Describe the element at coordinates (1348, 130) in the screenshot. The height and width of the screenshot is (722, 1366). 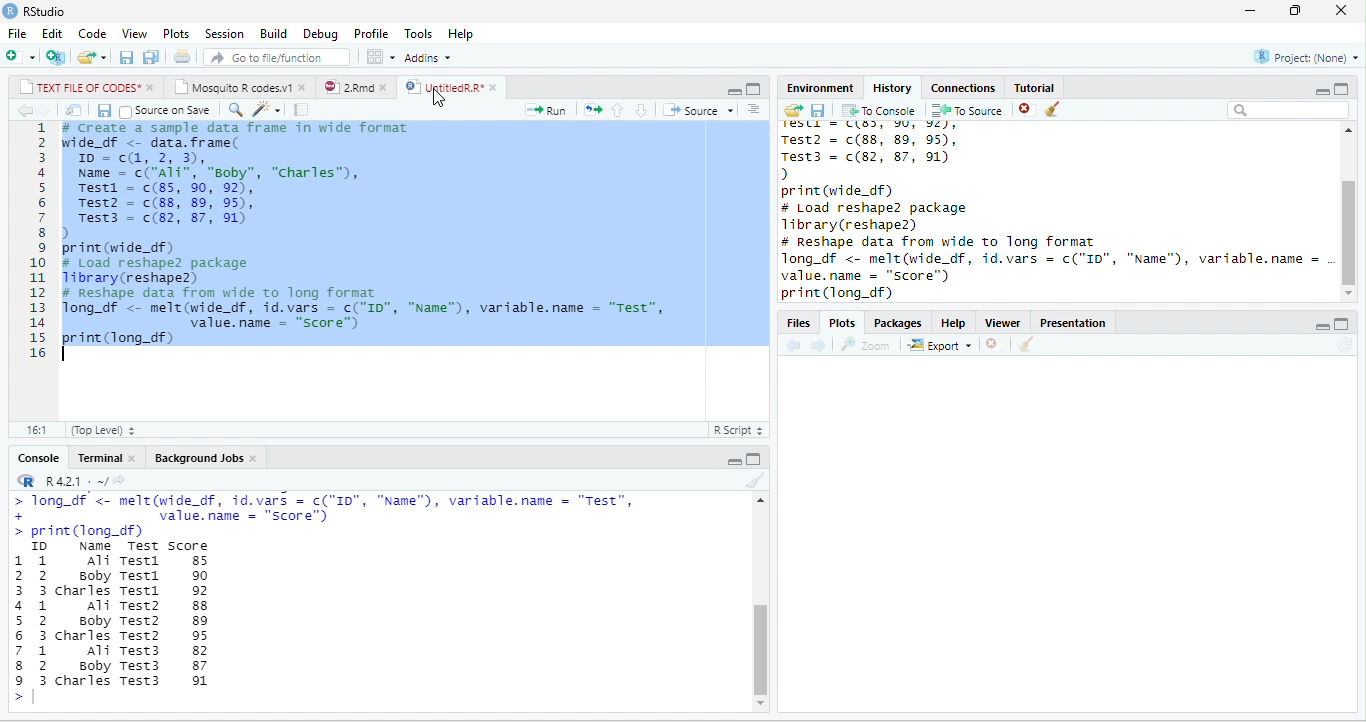
I see `scroll up` at that location.